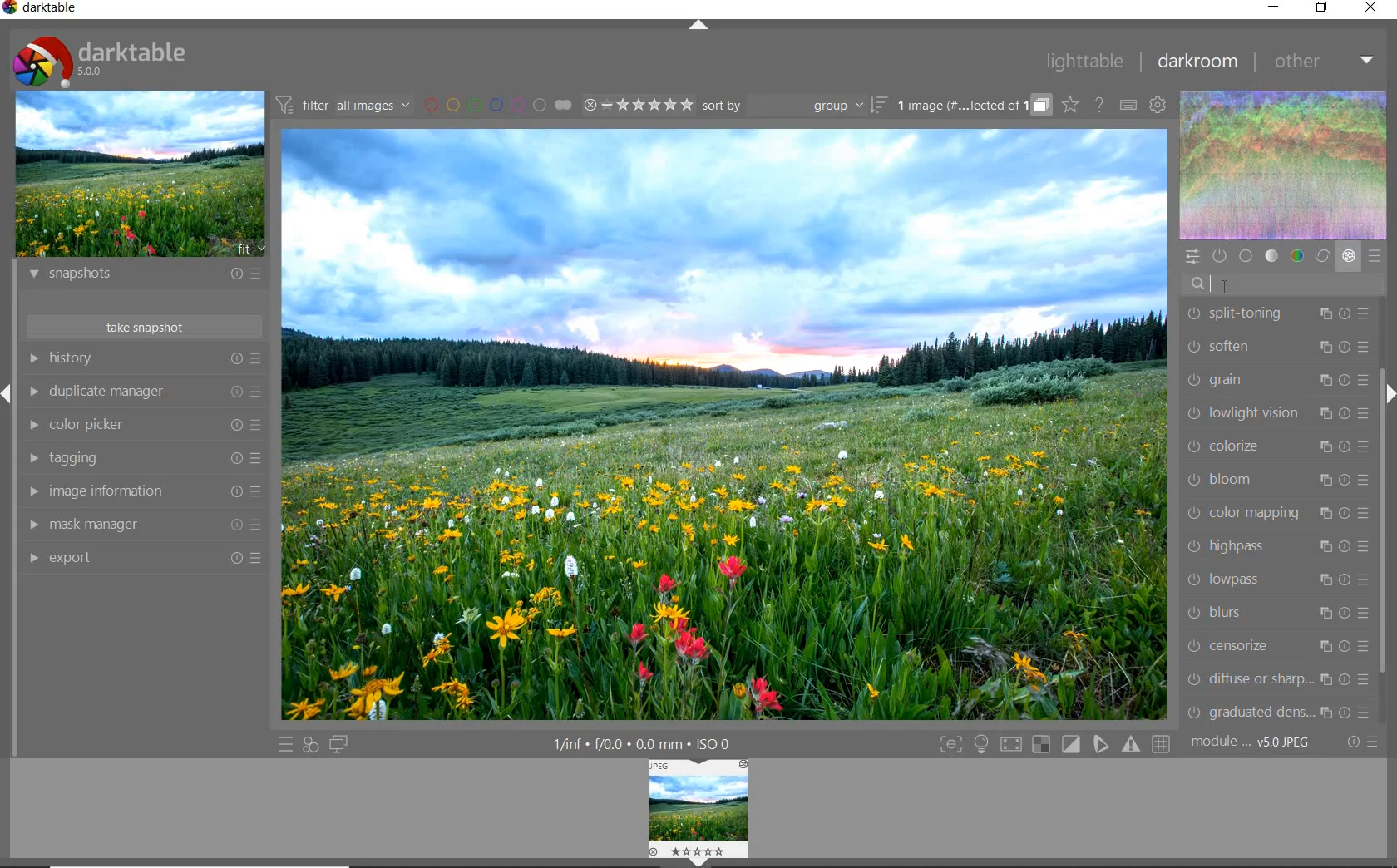 The width and height of the screenshot is (1397, 868). Describe the element at coordinates (142, 326) in the screenshot. I see `take snapshots` at that location.